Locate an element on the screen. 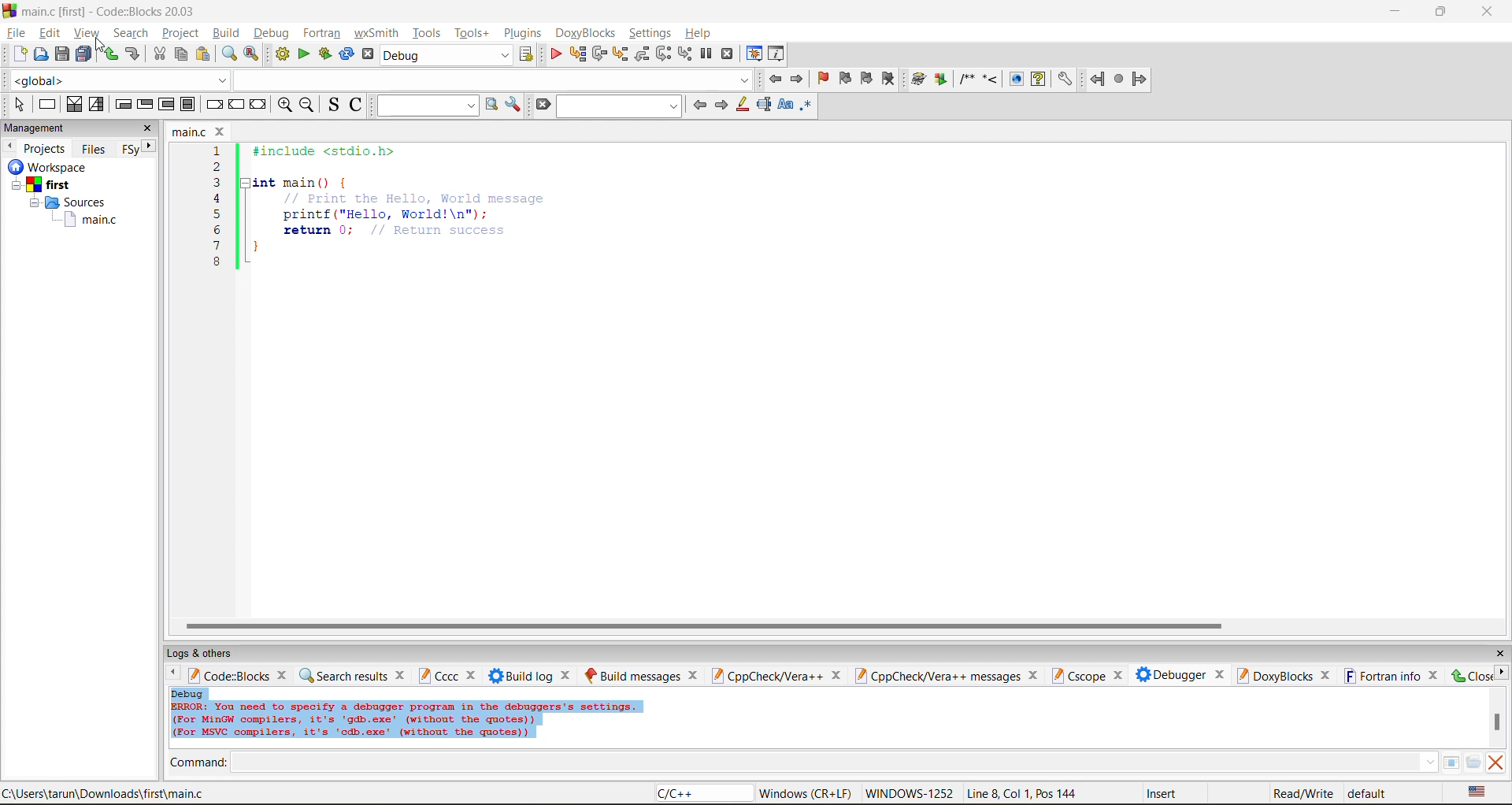 Image resolution: width=1512 pixels, height=805 pixels. next instruction is located at coordinates (665, 54).